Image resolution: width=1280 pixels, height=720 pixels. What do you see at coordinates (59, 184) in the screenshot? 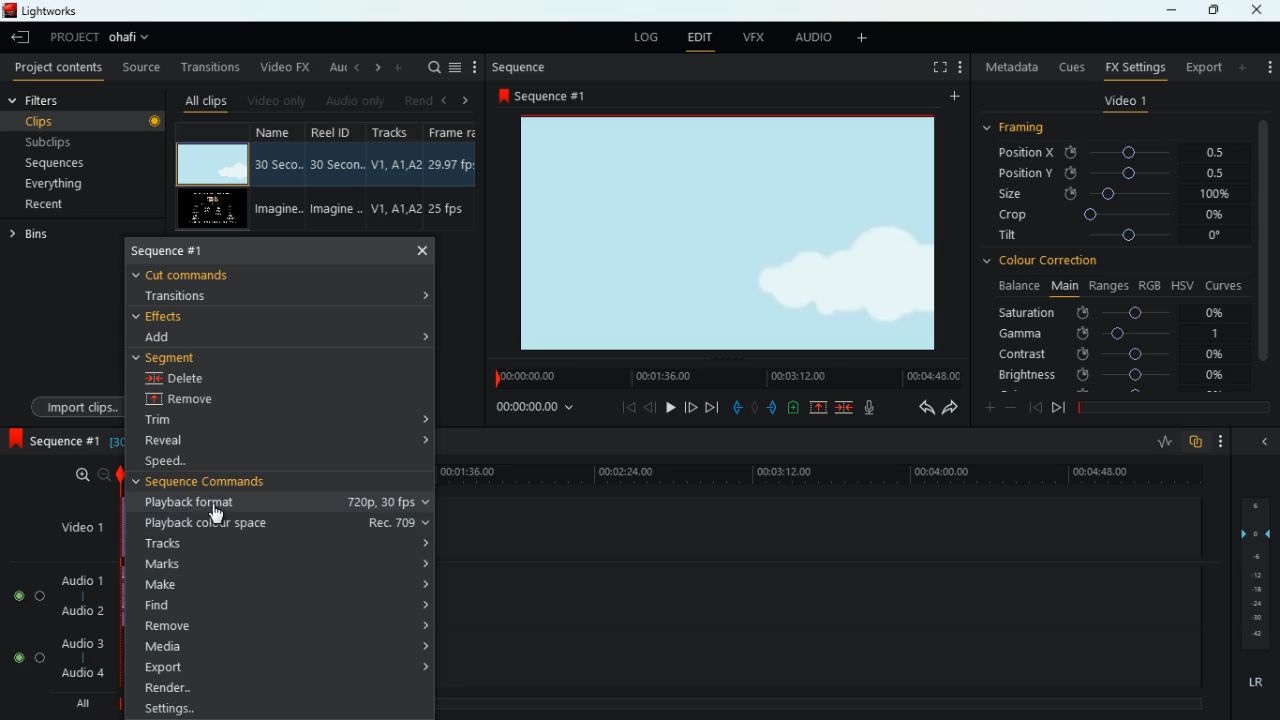
I see `everything` at bounding box center [59, 184].